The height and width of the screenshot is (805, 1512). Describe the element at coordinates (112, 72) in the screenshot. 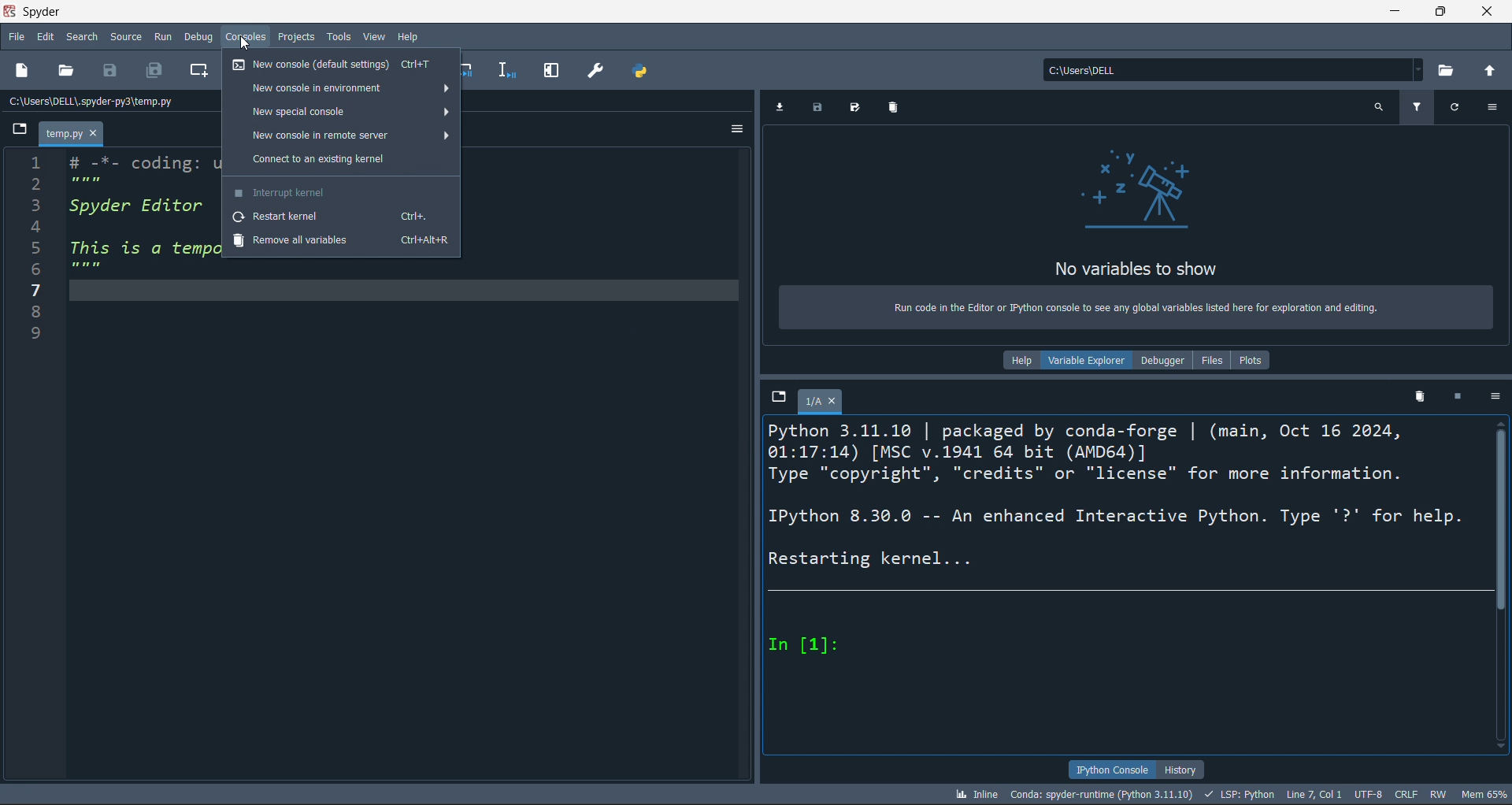

I see `save` at that location.